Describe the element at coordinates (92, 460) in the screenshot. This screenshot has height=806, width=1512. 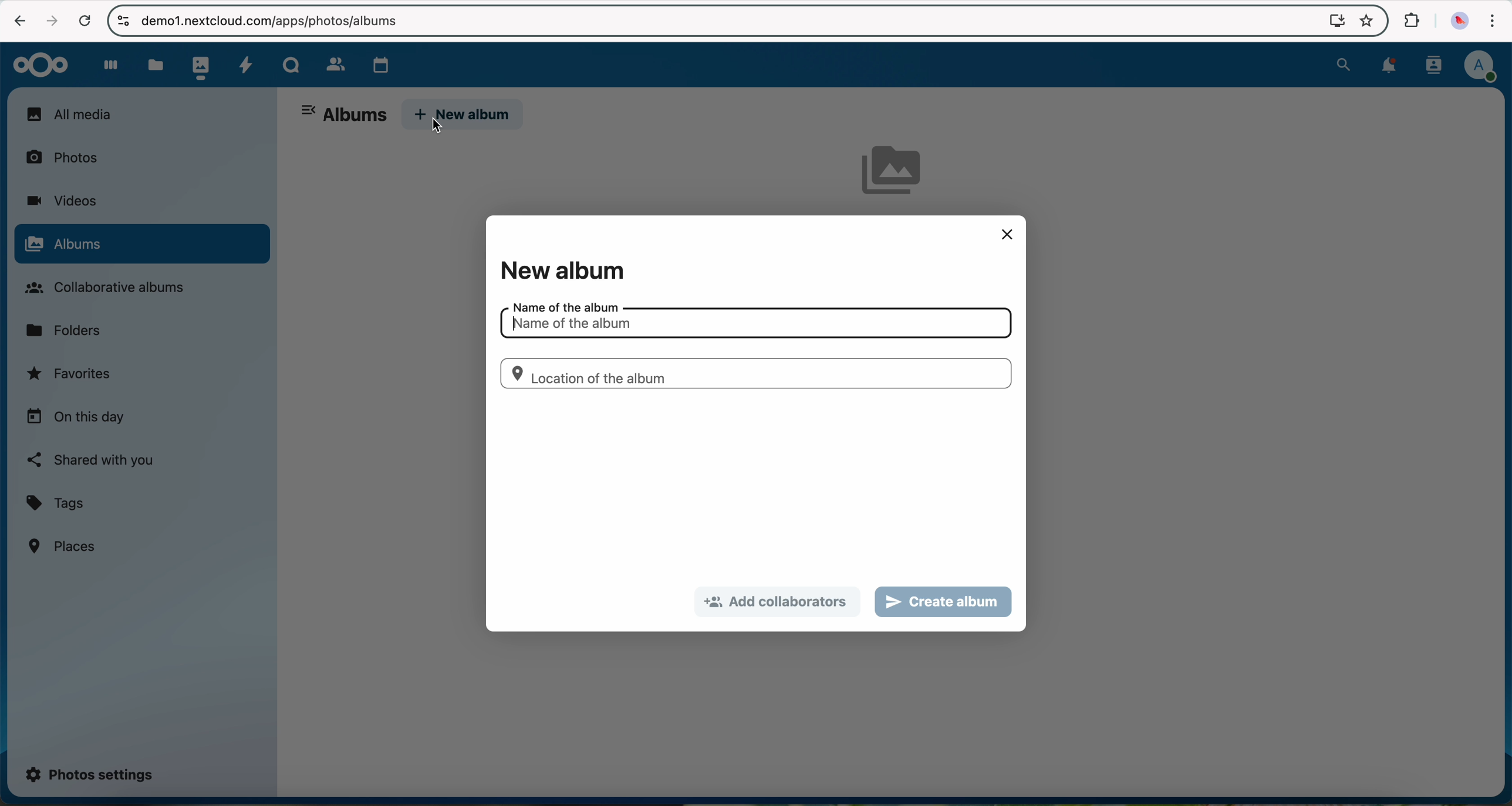
I see `shared with you` at that location.